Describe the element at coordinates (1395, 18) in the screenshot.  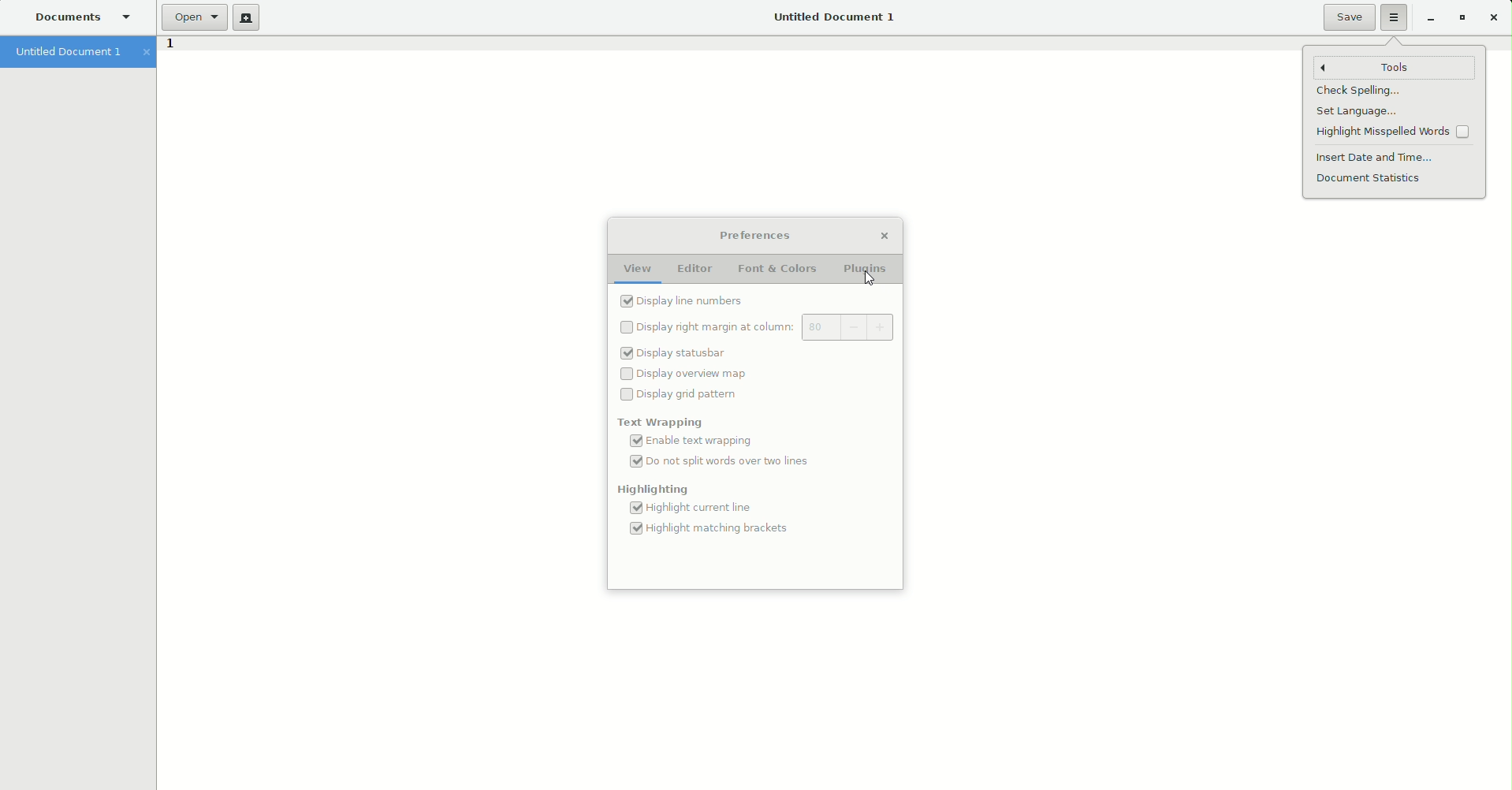
I see `Options` at that location.